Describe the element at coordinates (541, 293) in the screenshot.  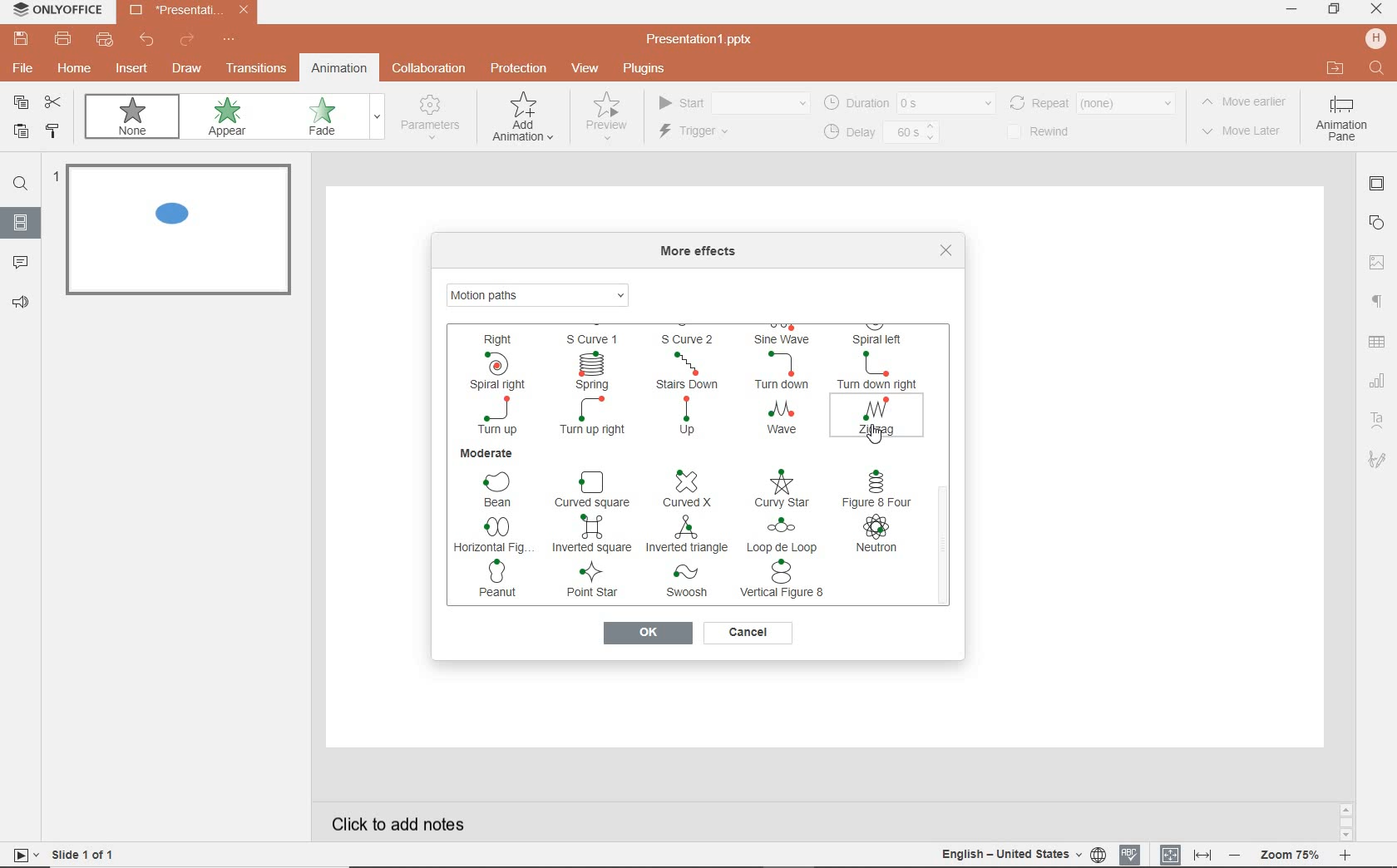
I see `ENTRANCE EFFECT` at that location.